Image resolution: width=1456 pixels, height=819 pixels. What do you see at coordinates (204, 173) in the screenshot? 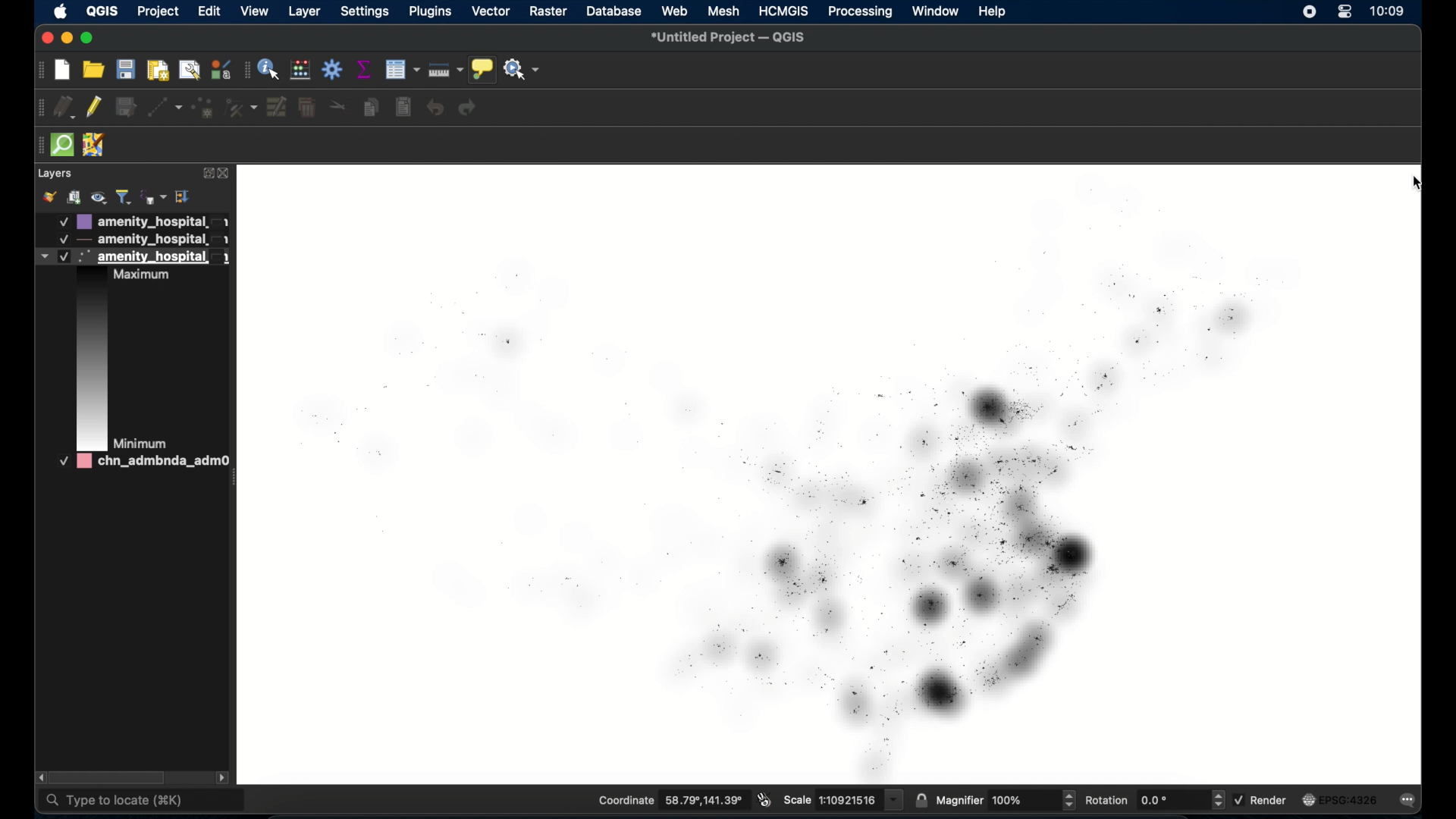
I see `expand` at bounding box center [204, 173].